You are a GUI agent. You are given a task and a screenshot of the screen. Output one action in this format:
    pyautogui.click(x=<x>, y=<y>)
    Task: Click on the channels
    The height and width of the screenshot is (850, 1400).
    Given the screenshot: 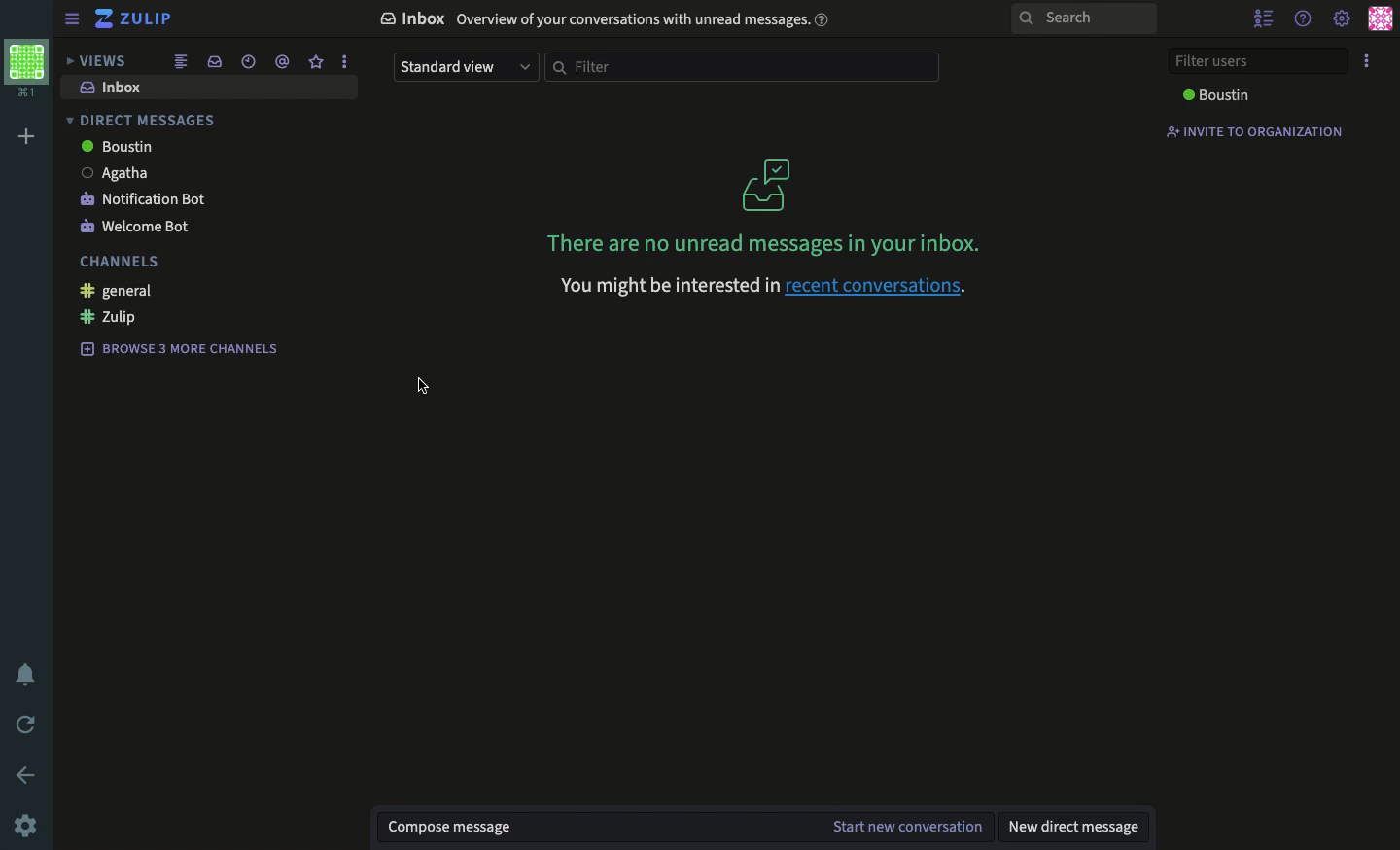 What is the action you would take?
    pyautogui.click(x=121, y=263)
    